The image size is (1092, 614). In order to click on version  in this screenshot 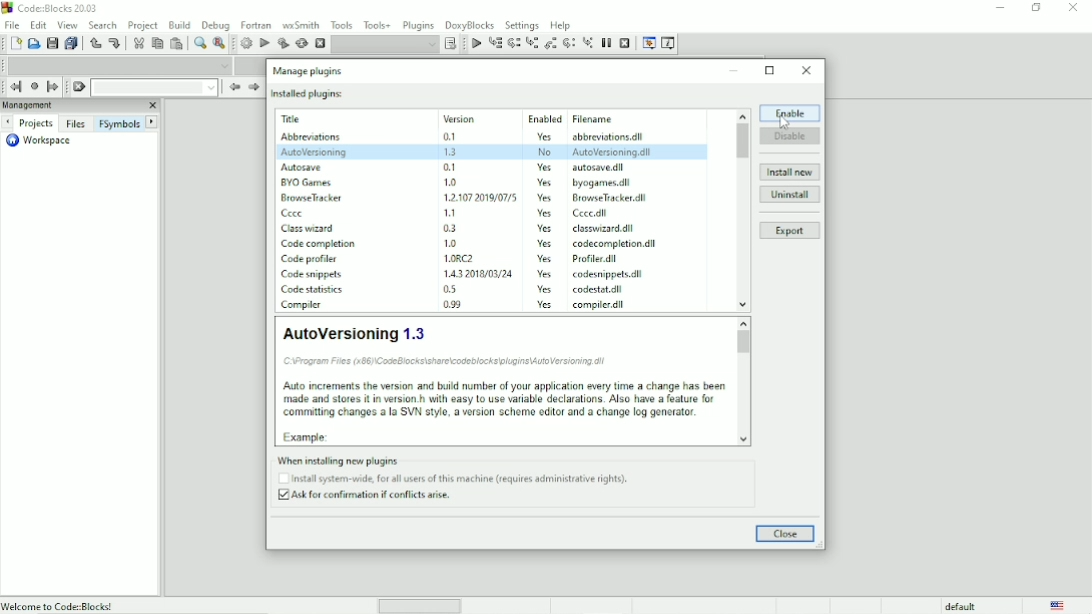, I will do `click(448, 242)`.